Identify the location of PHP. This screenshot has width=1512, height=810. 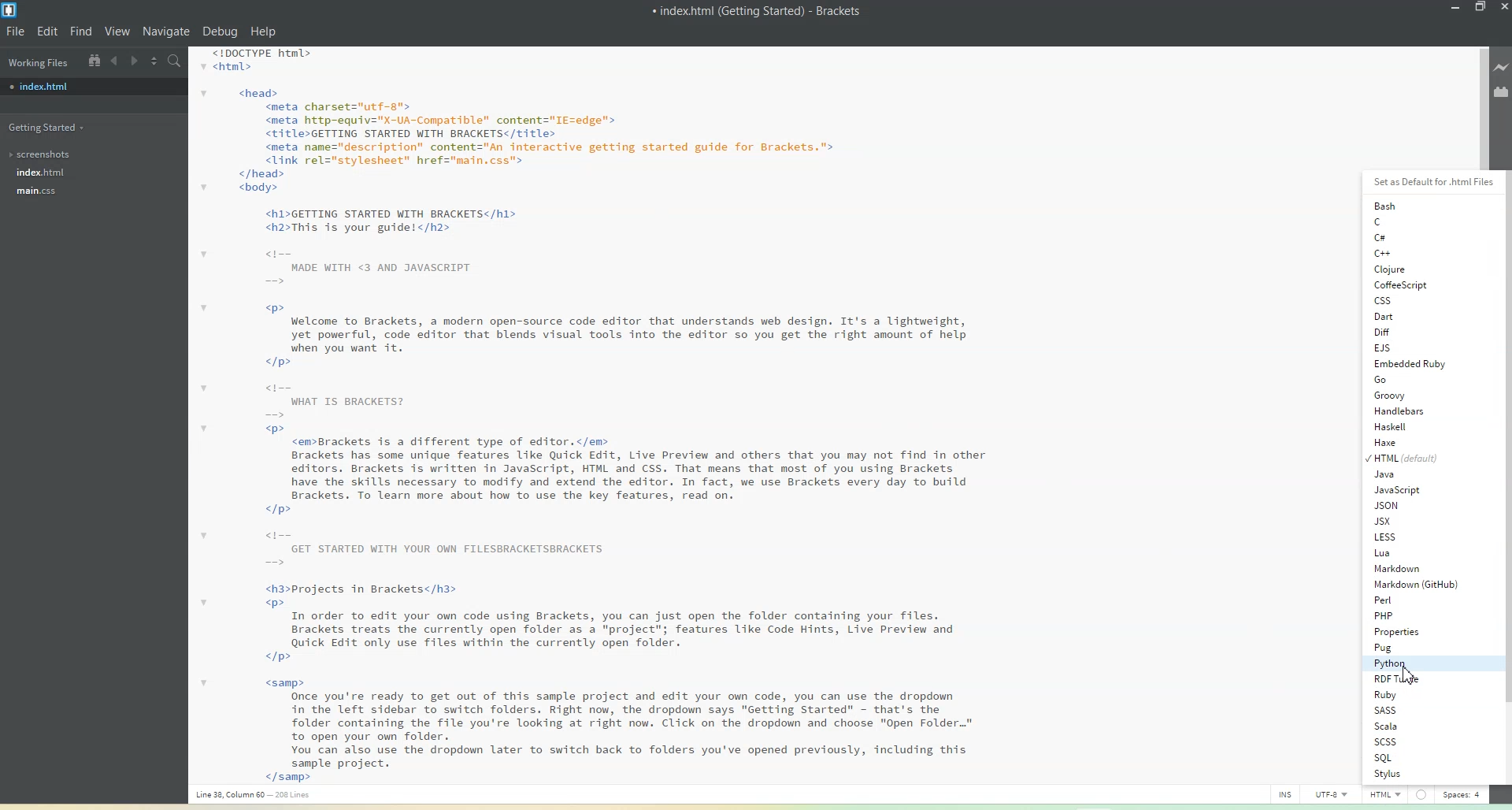
(1417, 615).